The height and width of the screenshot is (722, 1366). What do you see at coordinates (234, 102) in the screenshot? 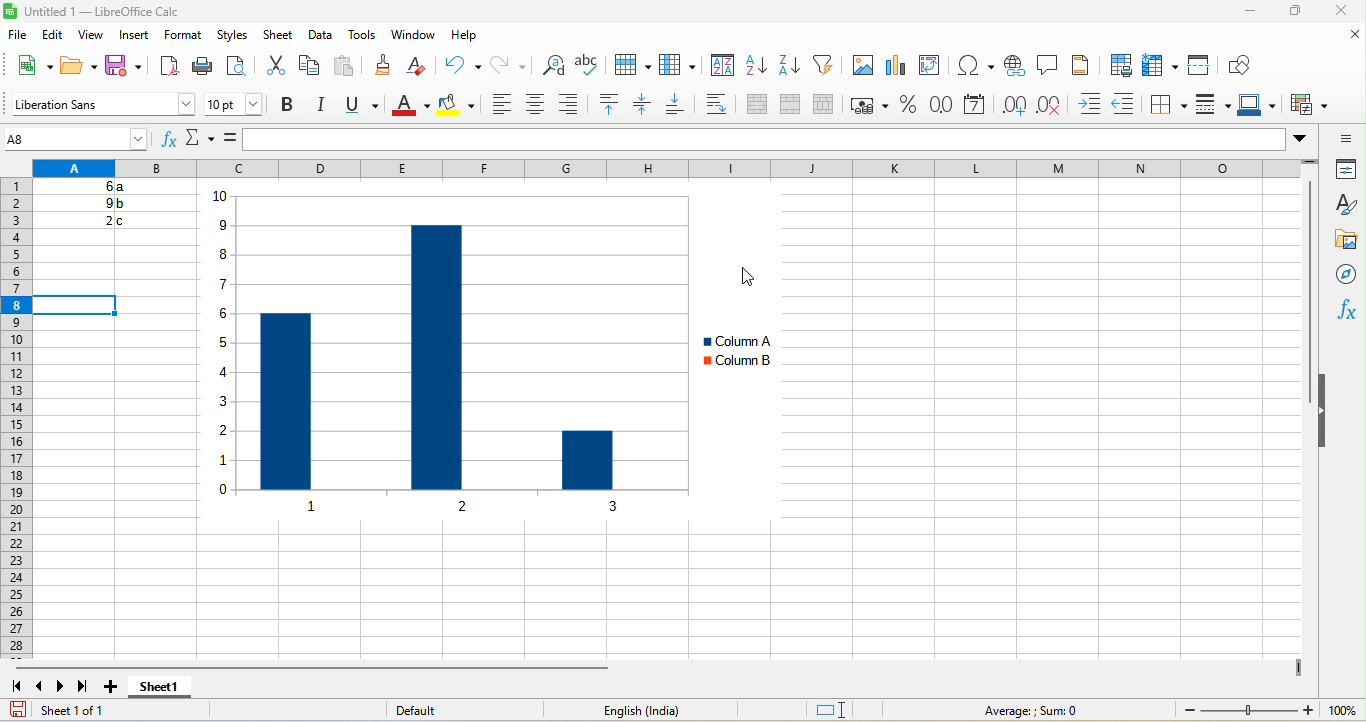
I see `10pt` at bounding box center [234, 102].